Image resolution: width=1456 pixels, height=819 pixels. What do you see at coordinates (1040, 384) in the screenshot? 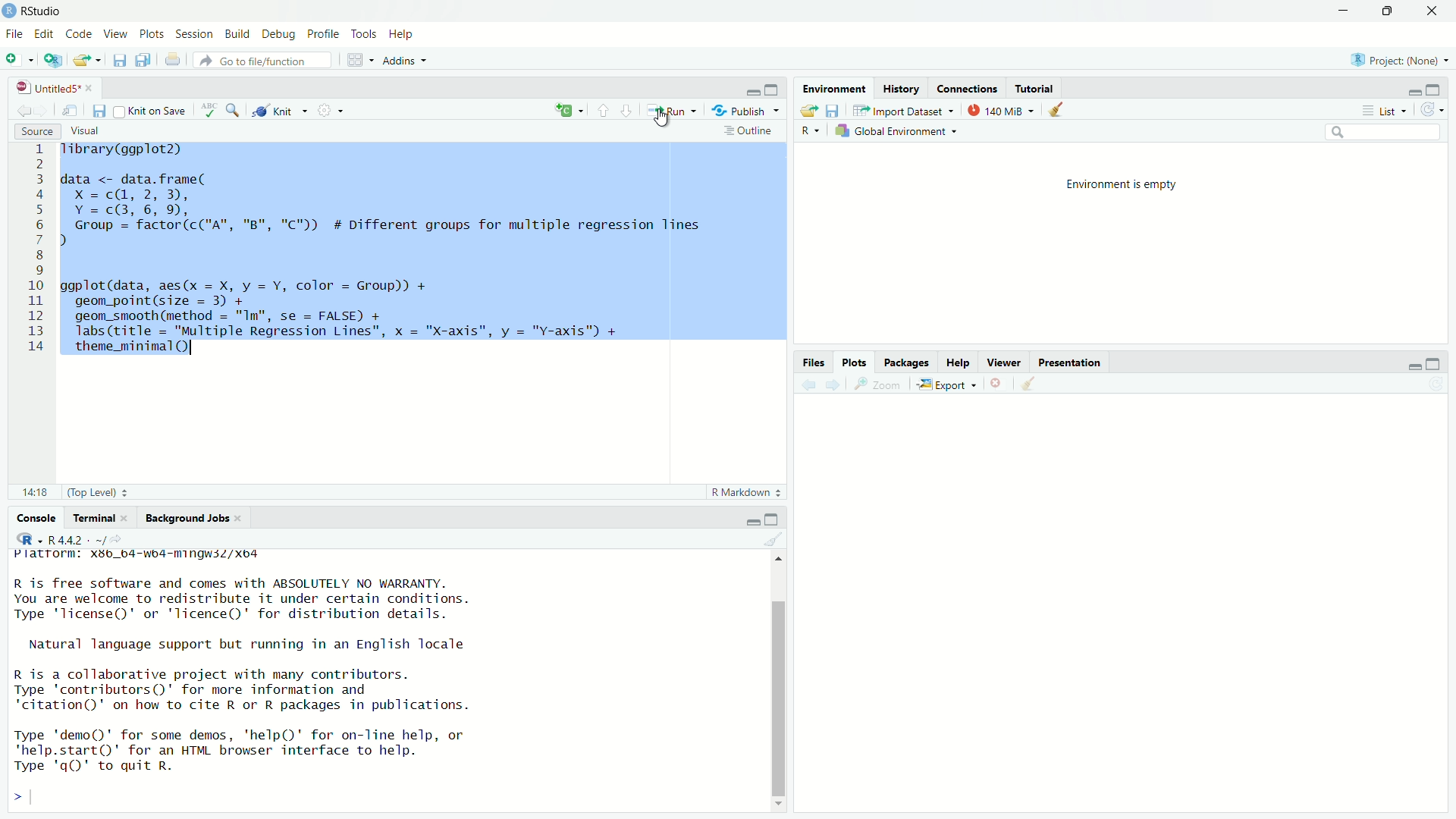
I see `clear` at bounding box center [1040, 384].